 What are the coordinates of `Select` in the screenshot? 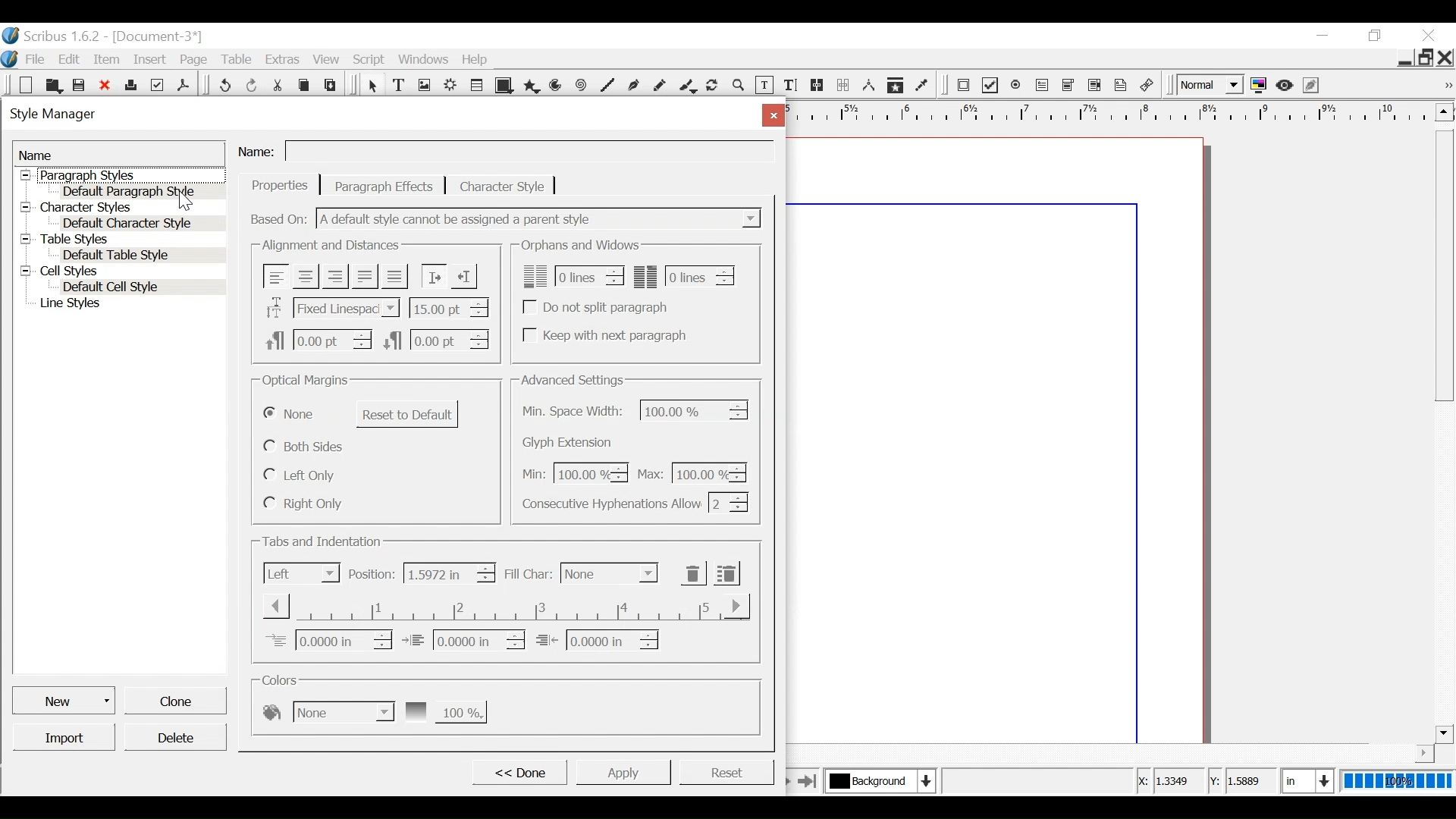 It's located at (609, 573).